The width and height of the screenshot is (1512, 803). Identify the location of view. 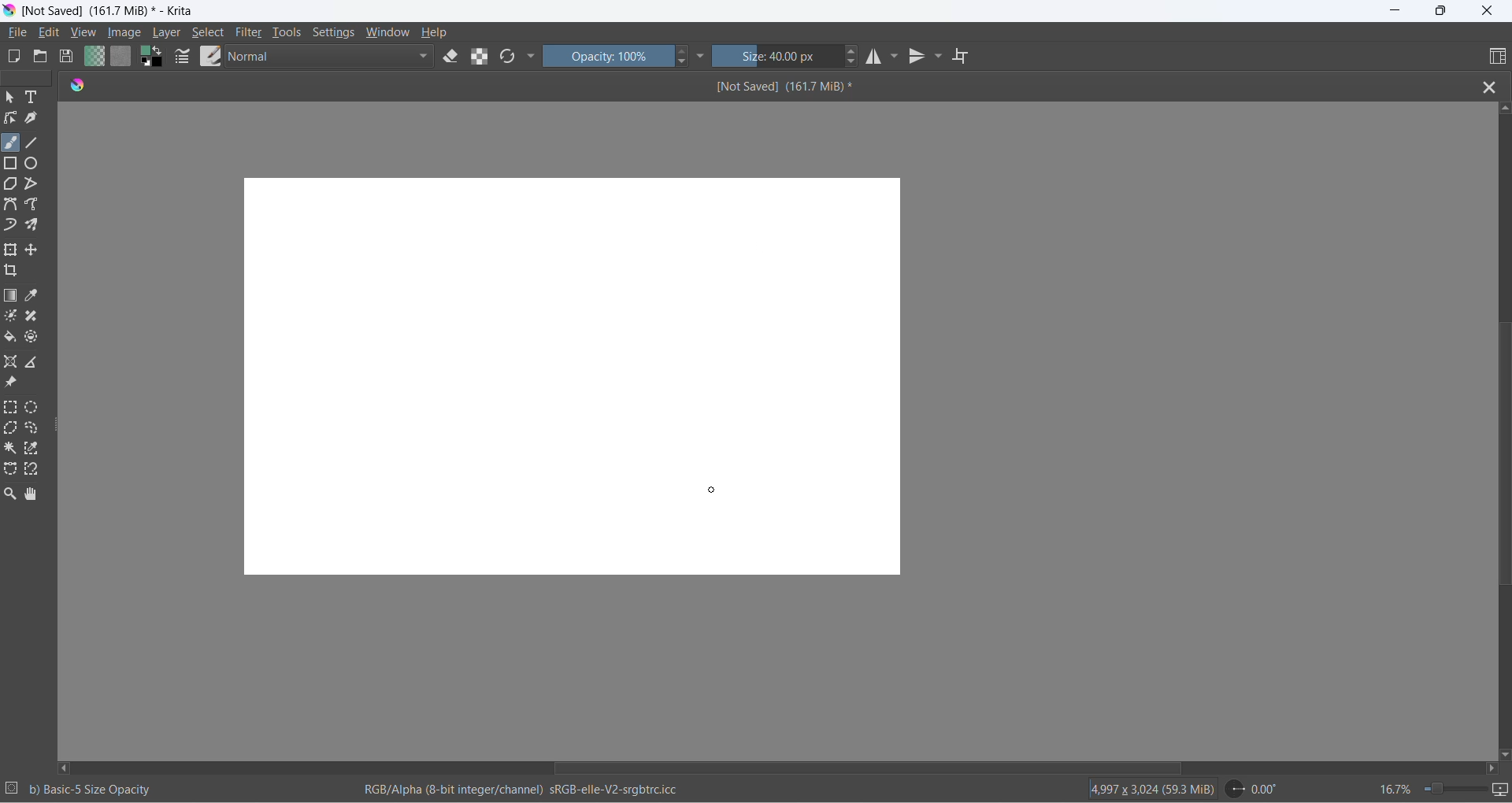
(84, 34).